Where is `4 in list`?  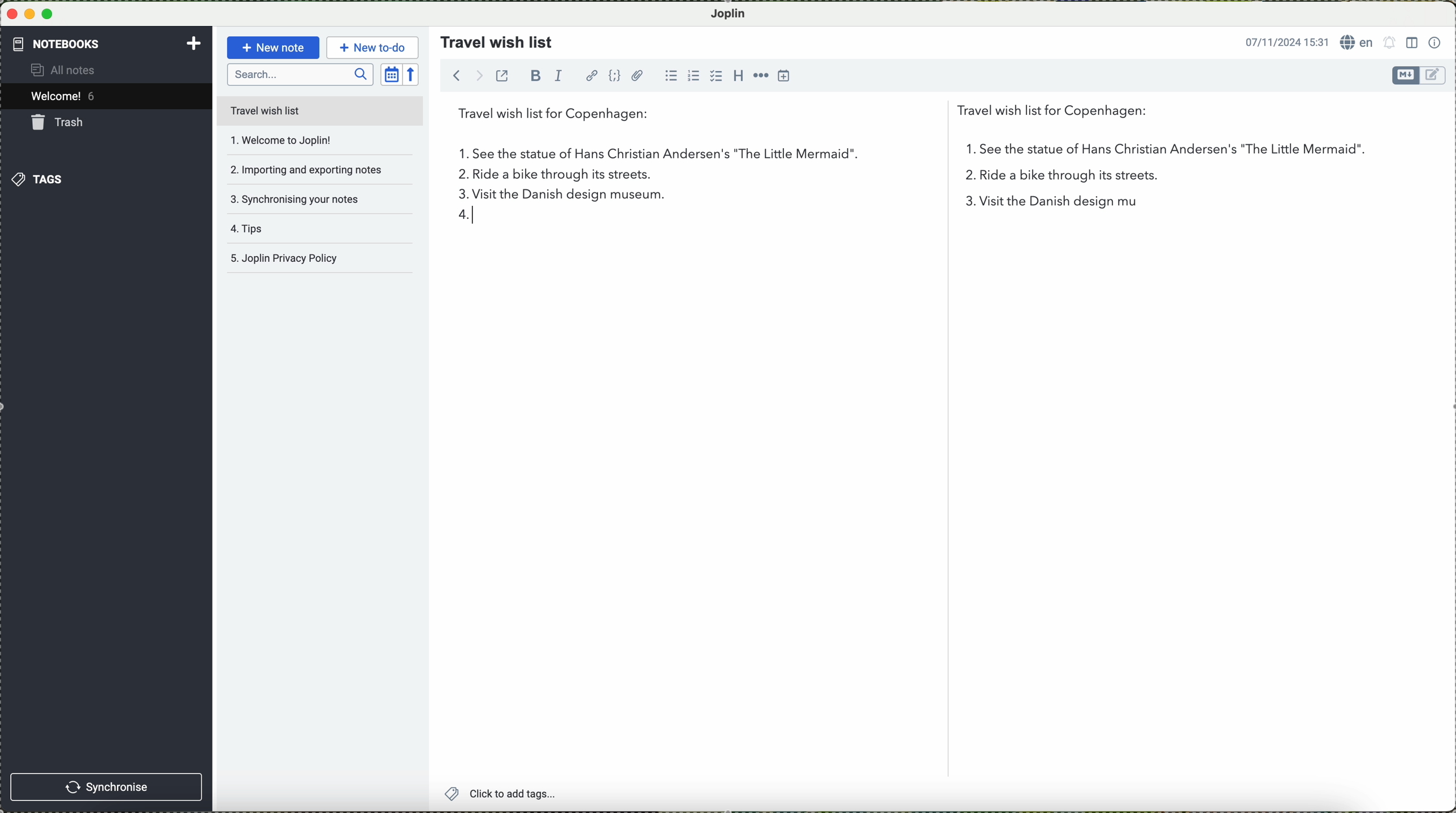
4 in list is located at coordinates (462, 220).